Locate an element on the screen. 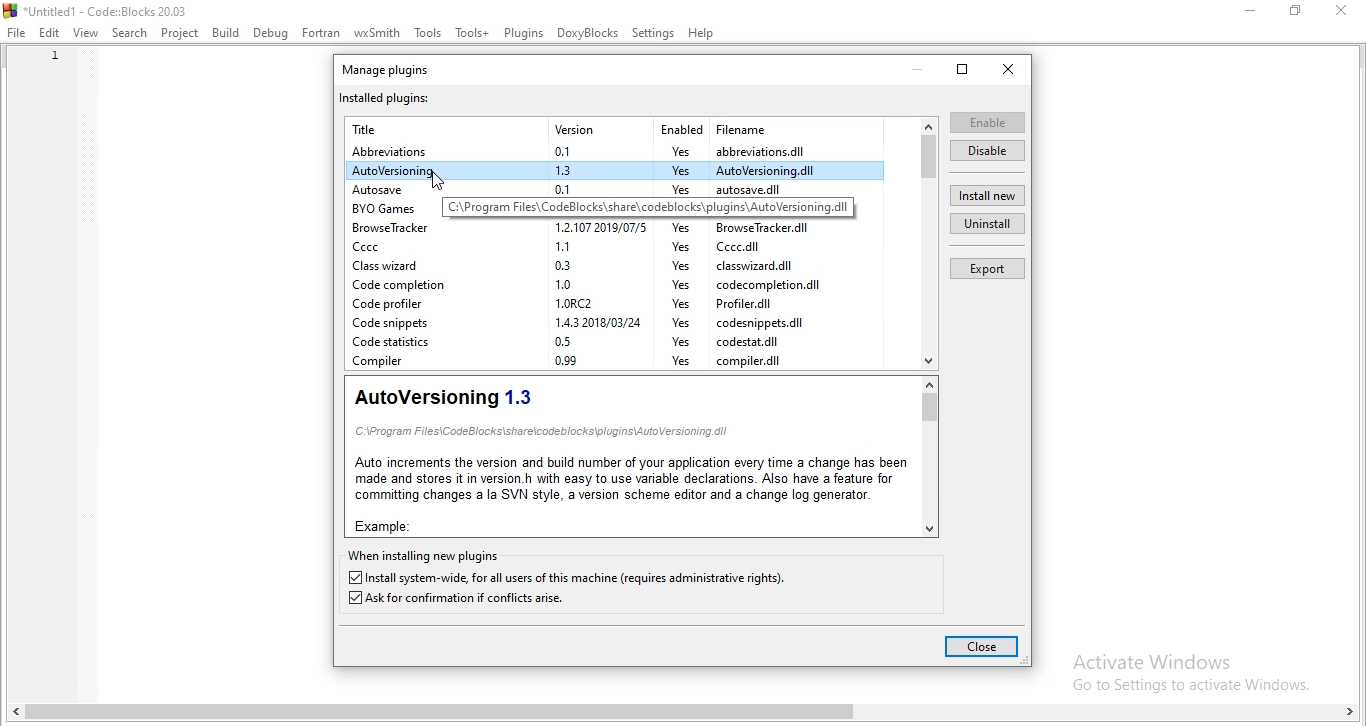 This screenshot has height=726, width=1366. disable is located at coordinates (986, 150).